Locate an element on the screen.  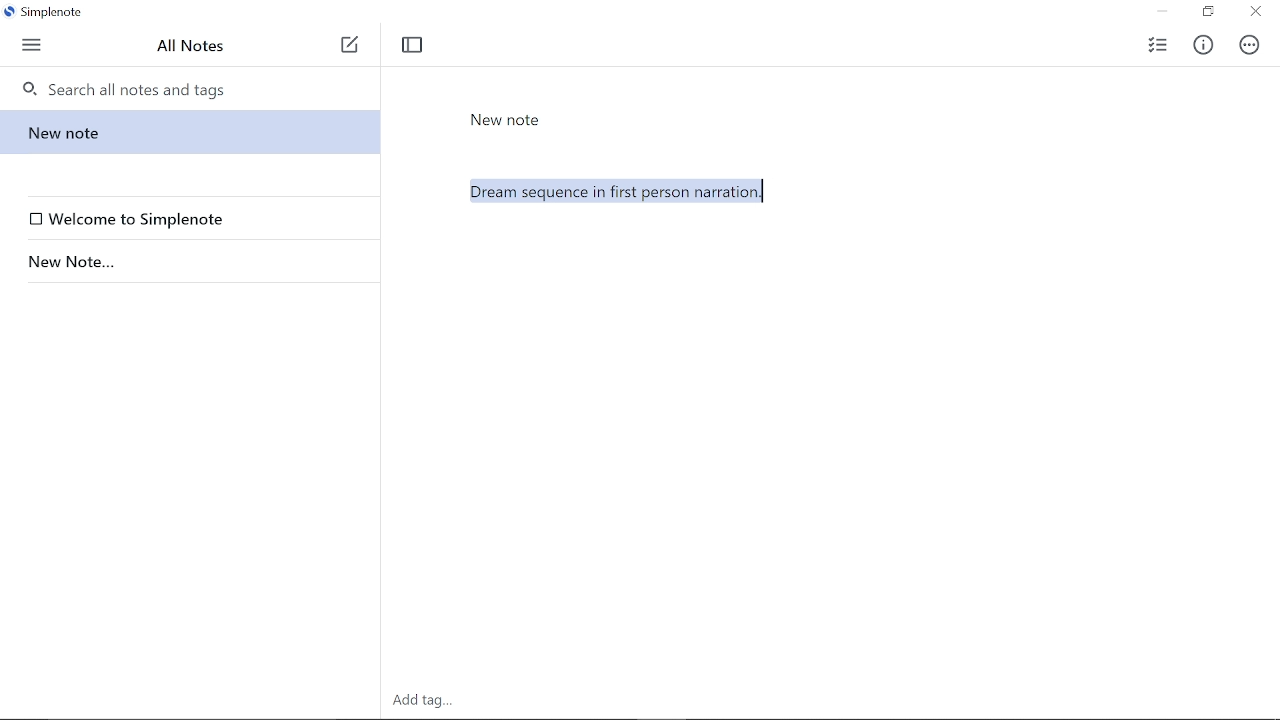
Cursor is located at coordinates (763, 191).